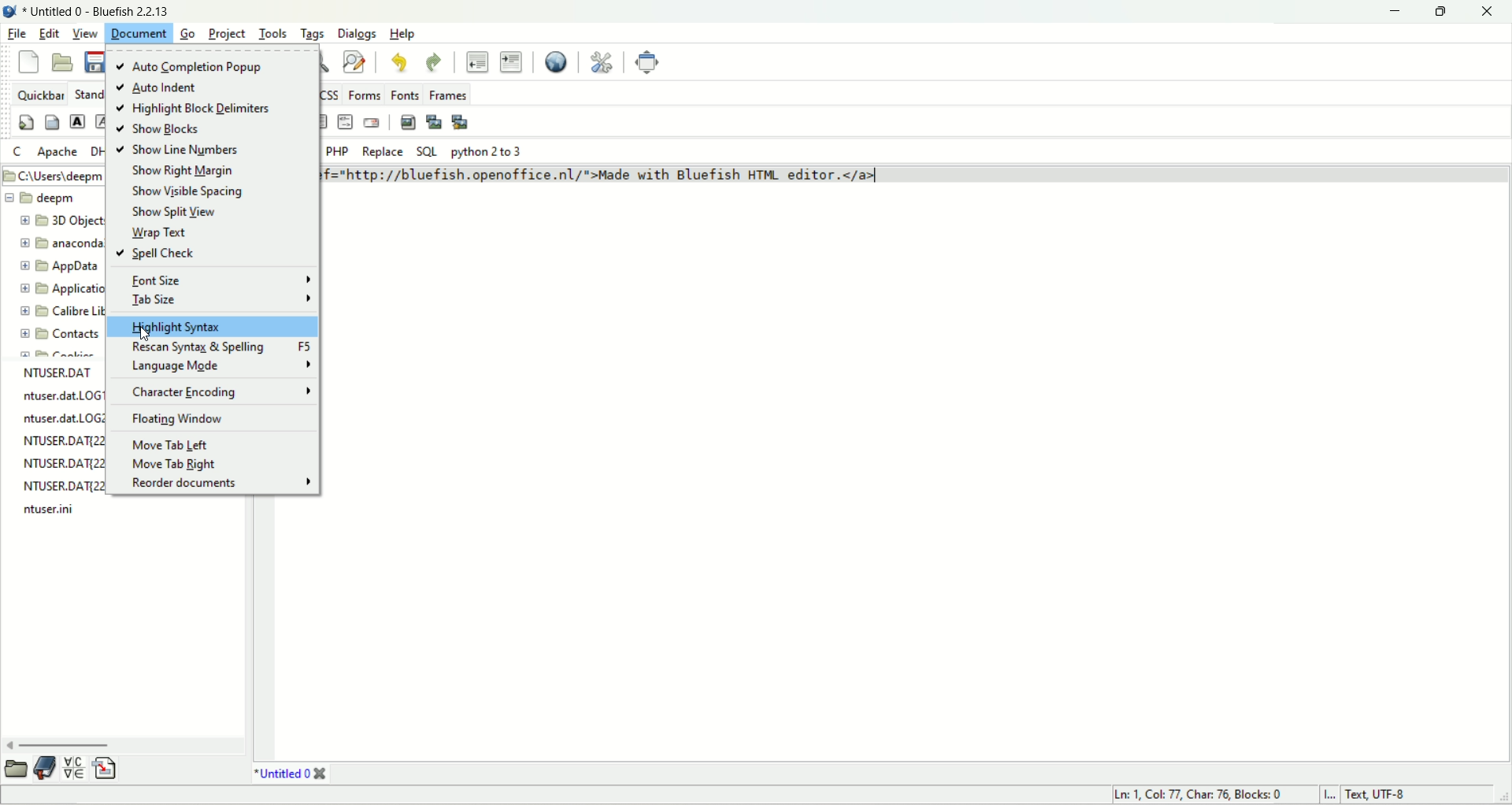 The height and width of the screenshot is (805, 1512). What do you see at coordinates (228, 33) in the screenshot?
I see `project` at bounding box center [228, 33].